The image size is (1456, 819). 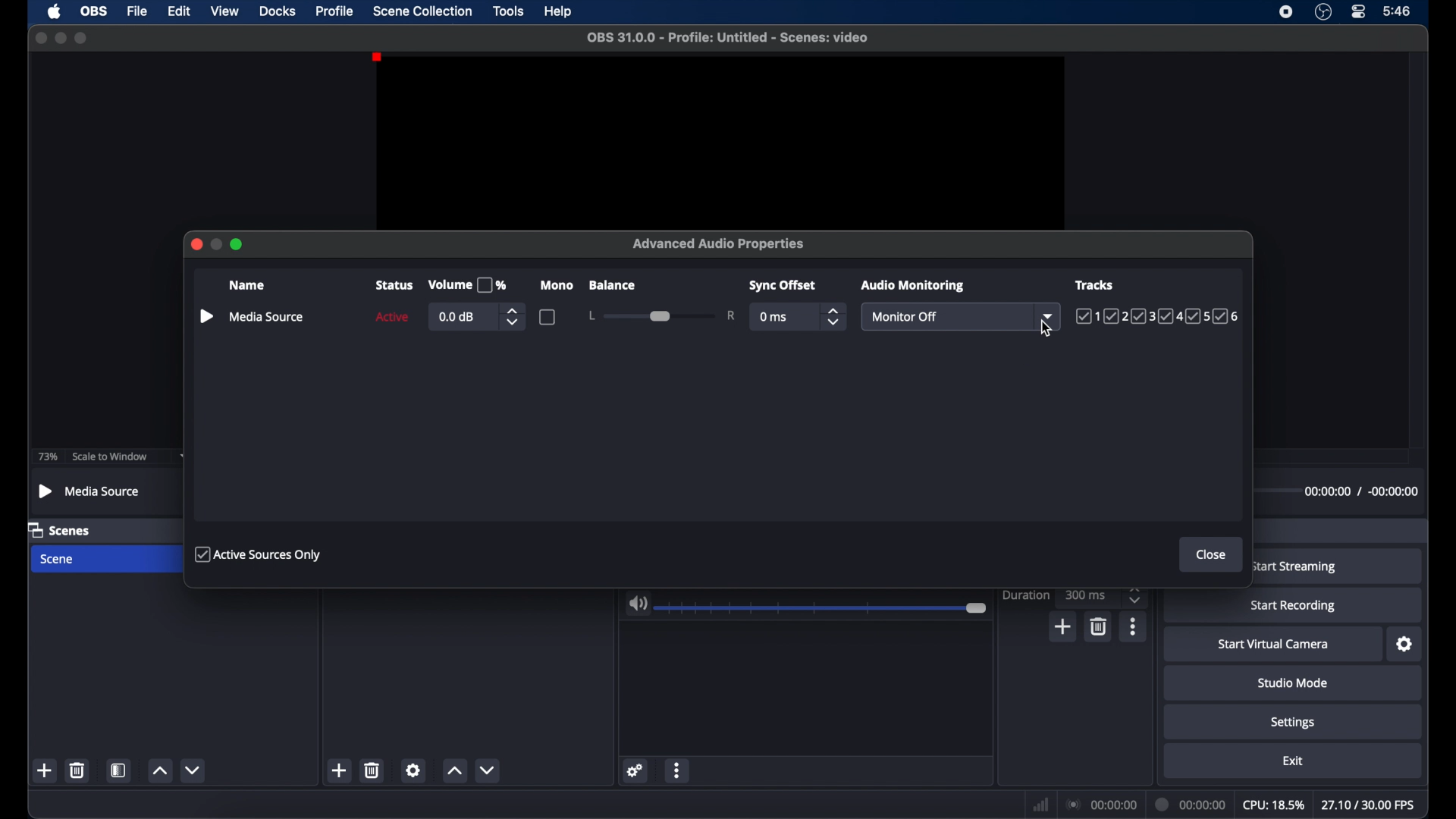 I want to click on timestamps, so click(x=1361, y=491).